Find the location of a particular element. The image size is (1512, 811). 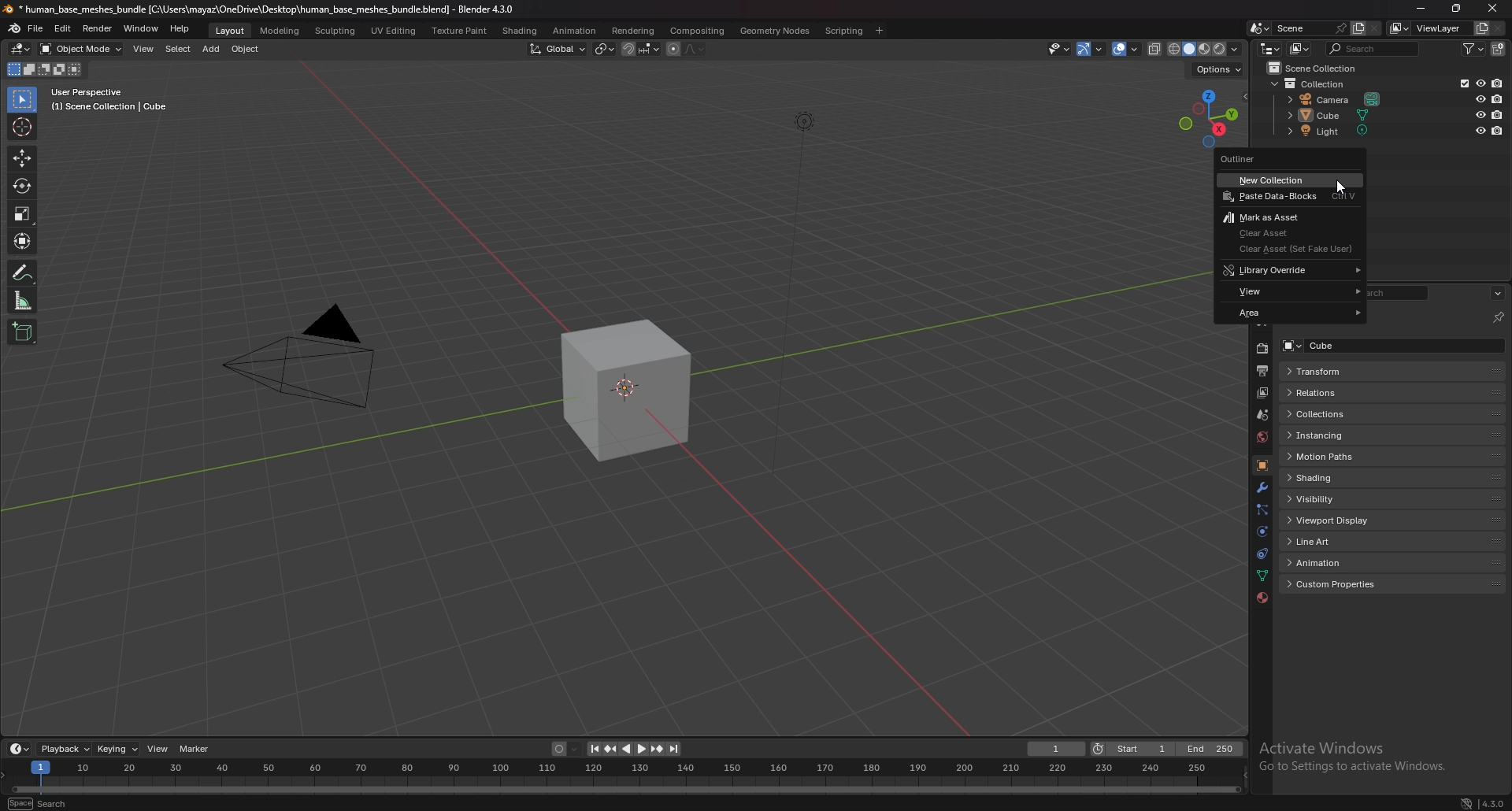

help is located at coordinates (180, 28).